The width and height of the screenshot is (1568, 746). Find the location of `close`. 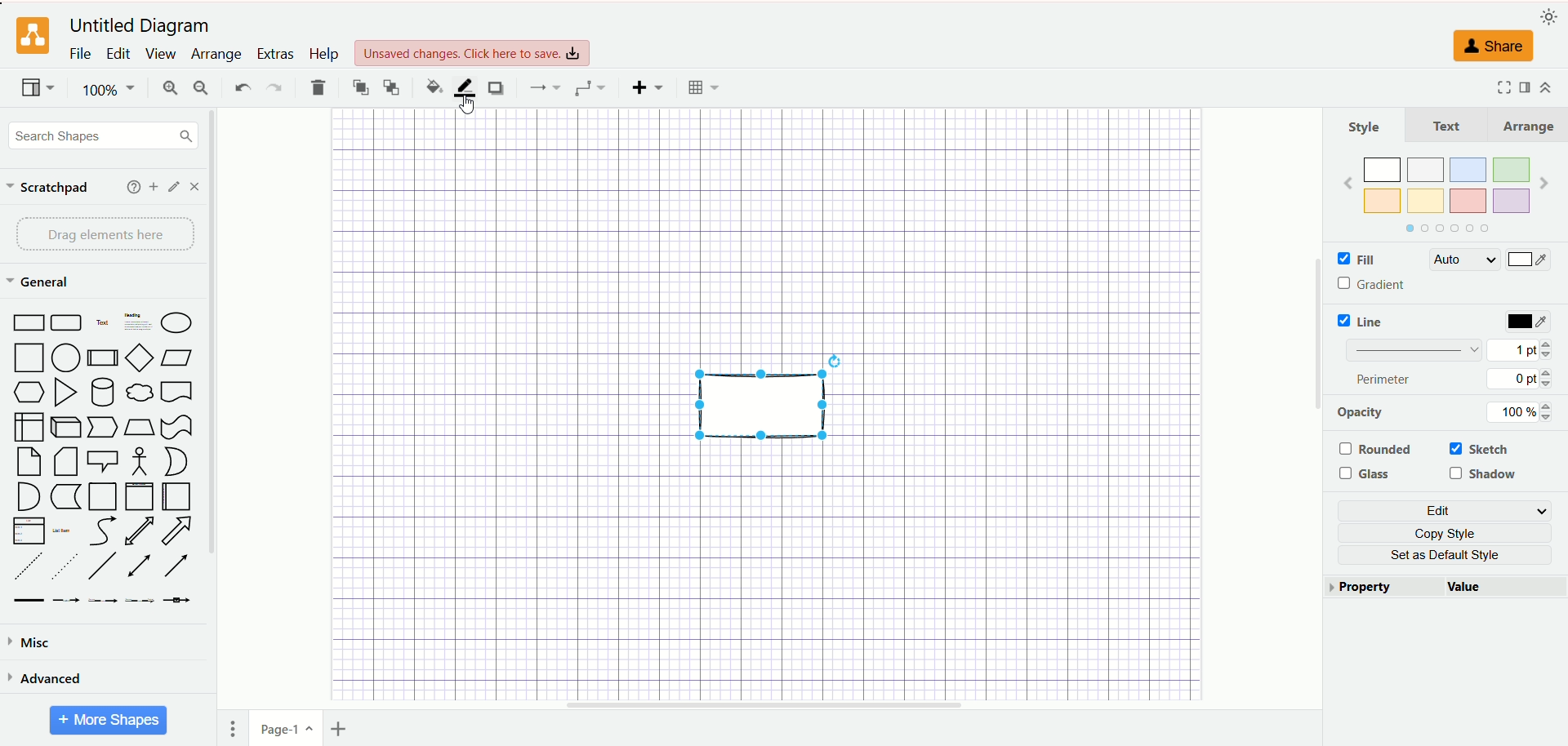

close is located at coordinates (198, 187).